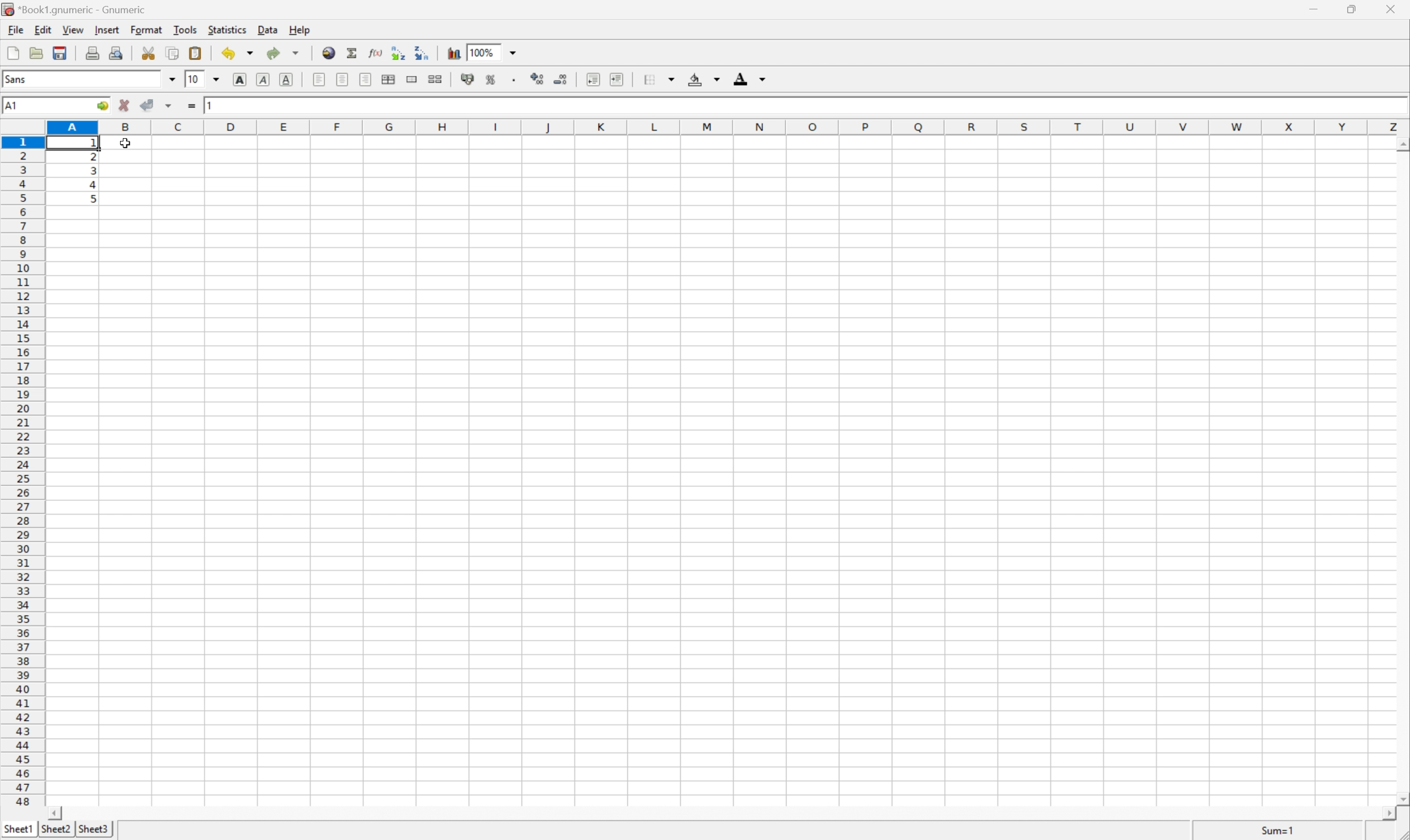 This screenshot has width=1410, height=840. What do you see at coordinates (44, 29) in the screenshot?
I see `Edit` at bounding box center [44, 29].